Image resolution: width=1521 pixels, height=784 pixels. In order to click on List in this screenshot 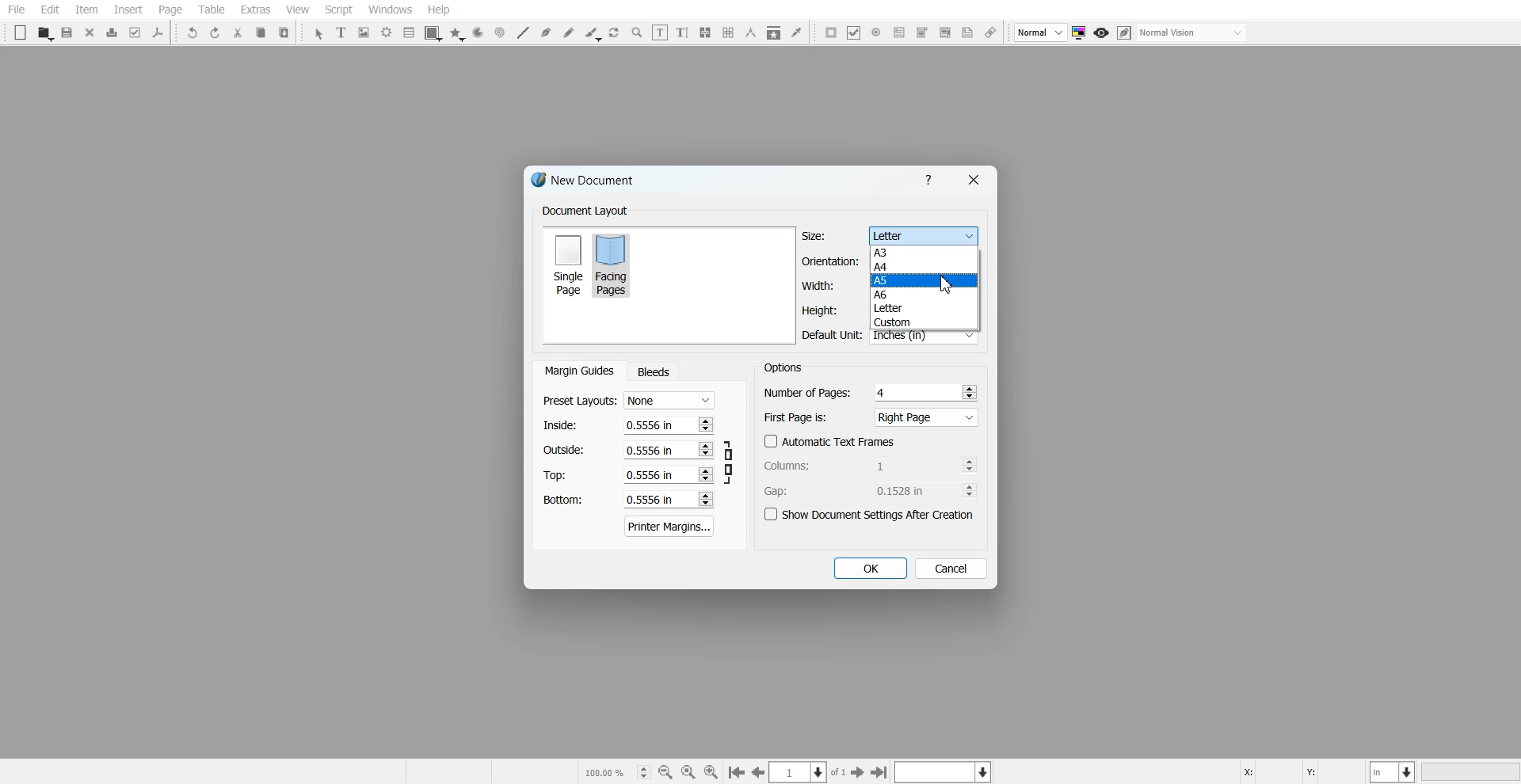, I will do `click(410, 32)`.